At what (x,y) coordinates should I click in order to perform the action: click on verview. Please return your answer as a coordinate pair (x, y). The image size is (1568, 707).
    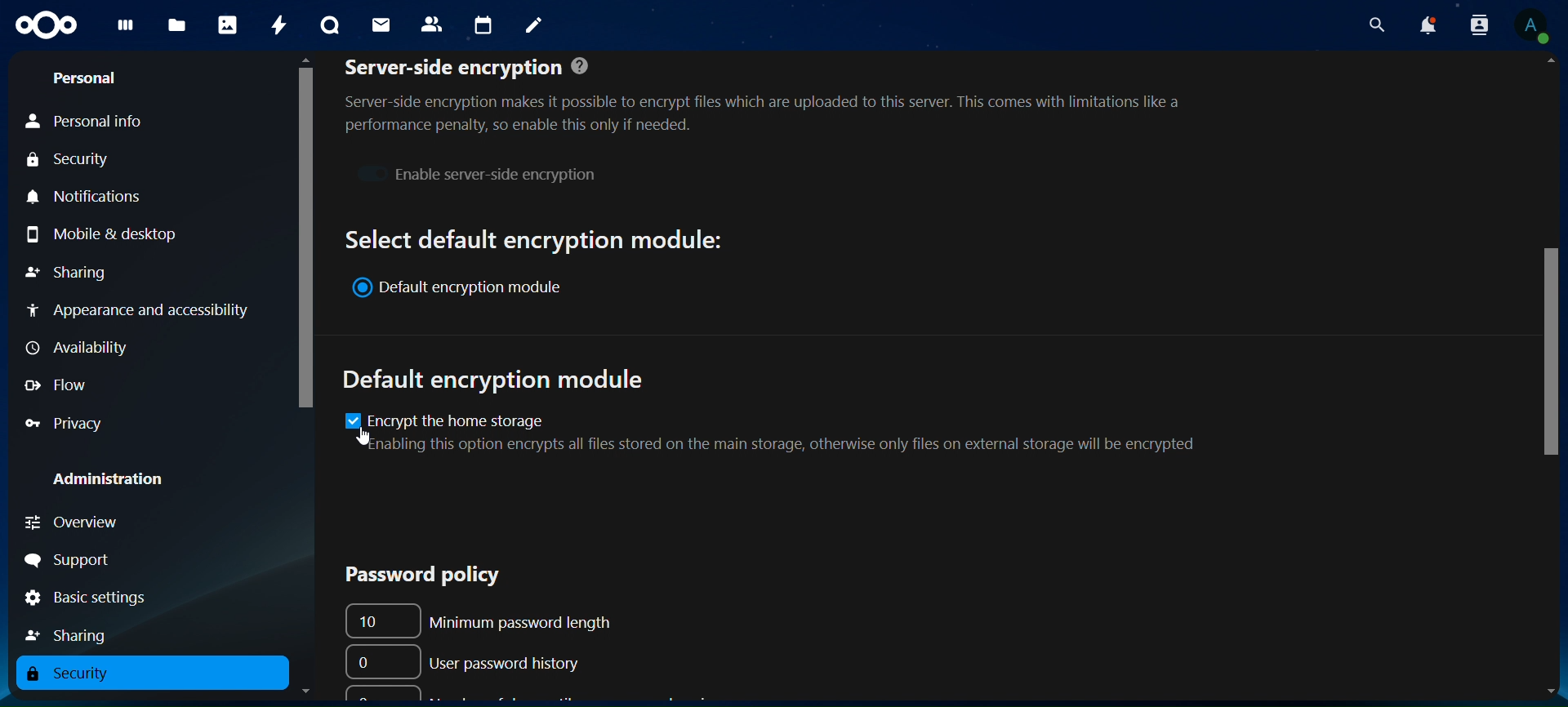
    Looking at the image, I should click on (79, 522).